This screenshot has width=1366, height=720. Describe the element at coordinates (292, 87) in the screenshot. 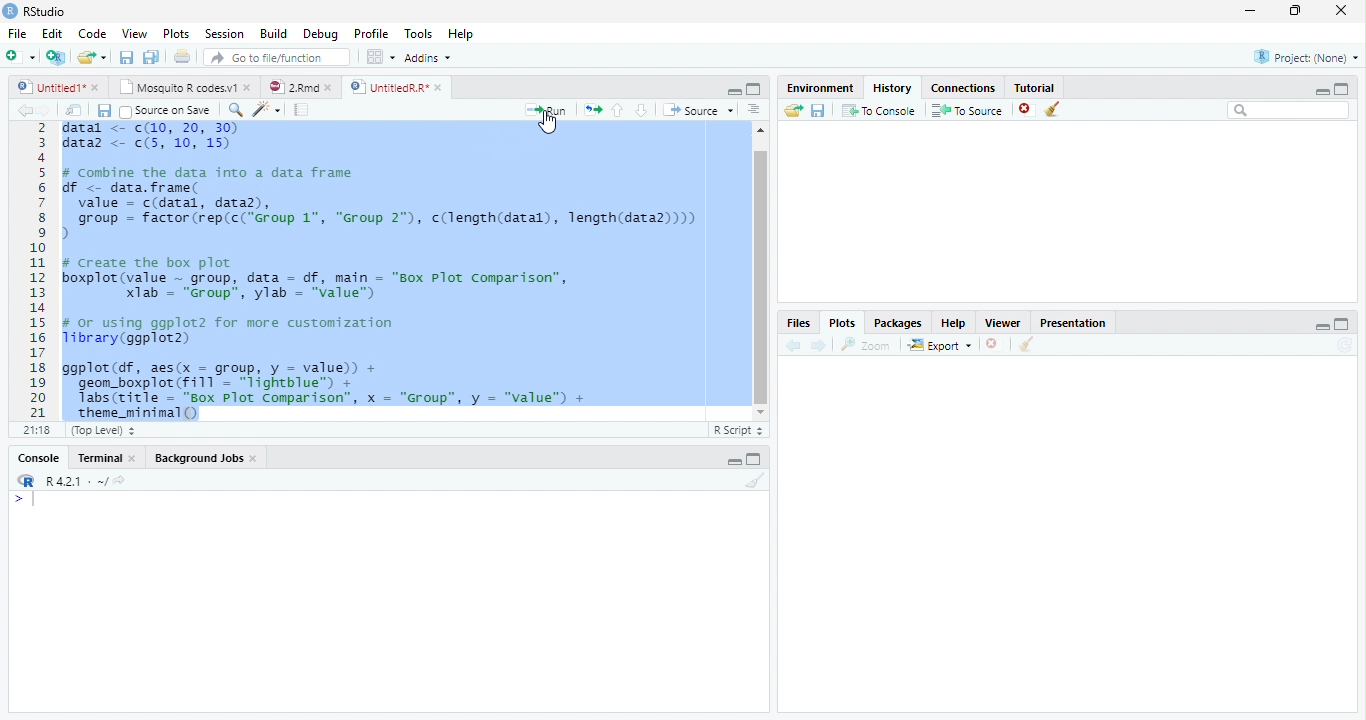

I see `2.Rmd` at that location.